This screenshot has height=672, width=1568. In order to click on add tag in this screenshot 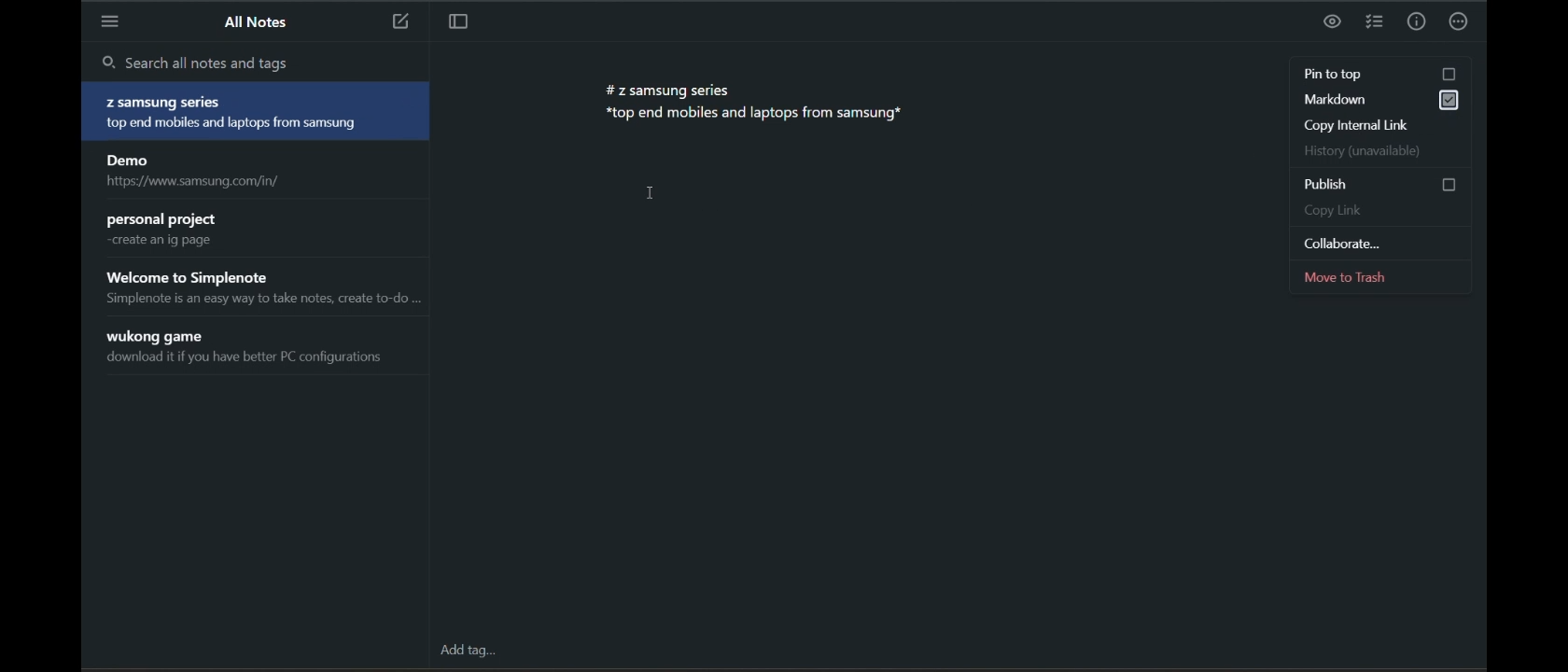, I will do `click(475, 650)`.